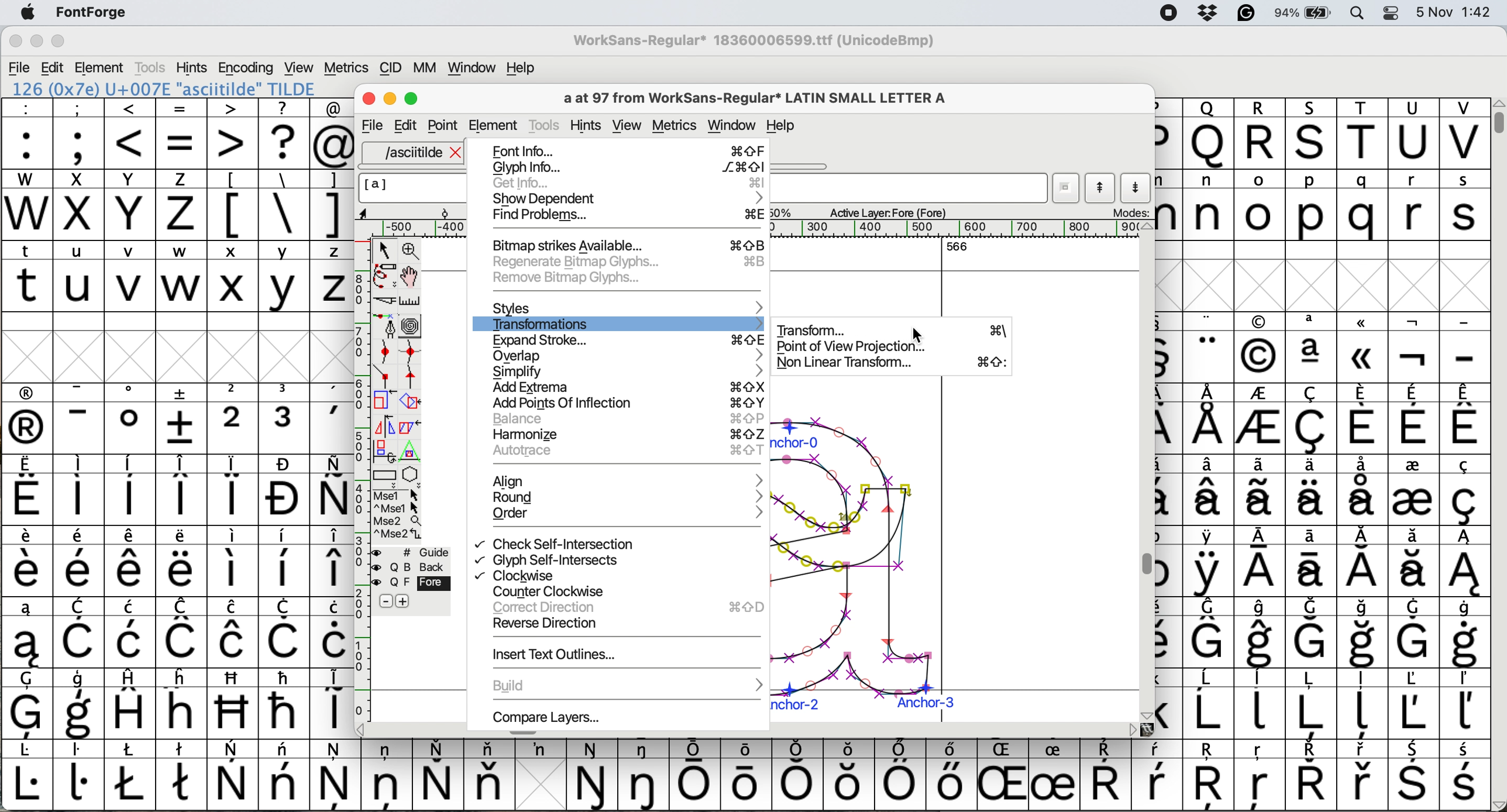 The image size is (1507, 812). I want to click on tools, so click(149, 67).